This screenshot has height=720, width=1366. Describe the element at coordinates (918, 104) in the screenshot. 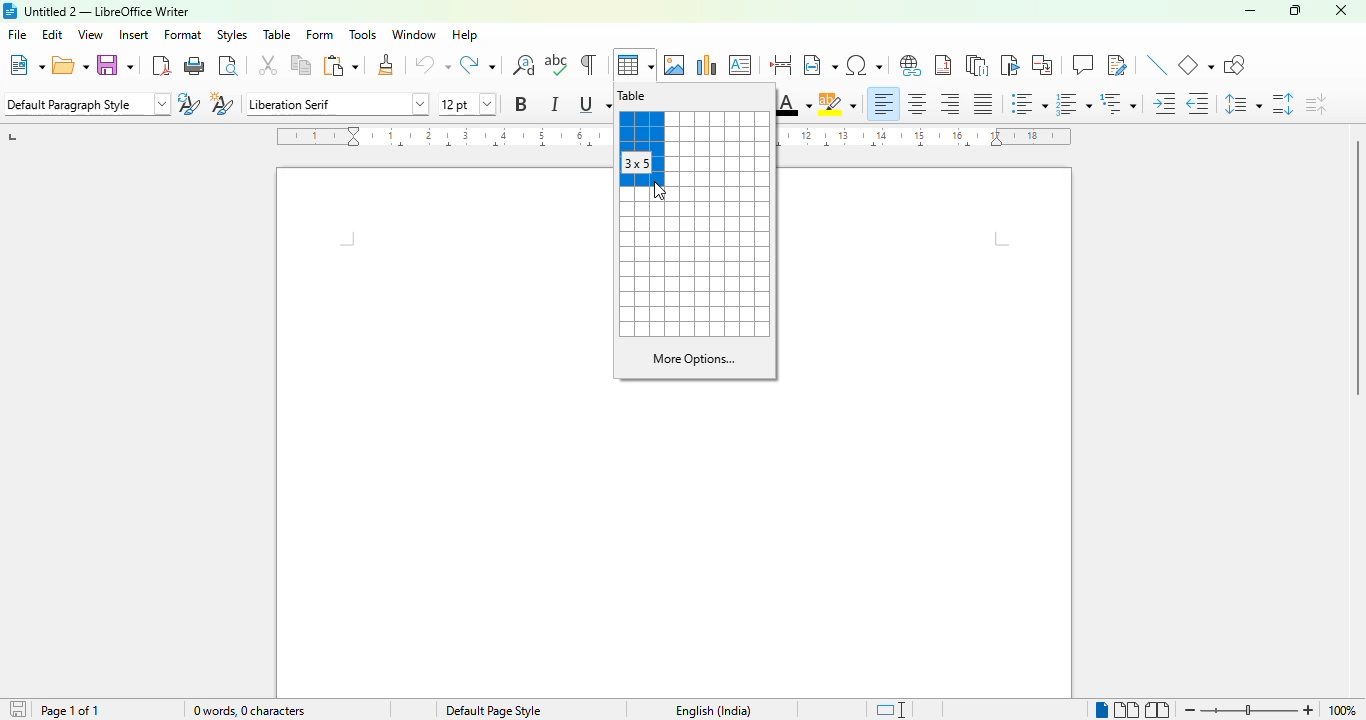

I see `align center` at that location.